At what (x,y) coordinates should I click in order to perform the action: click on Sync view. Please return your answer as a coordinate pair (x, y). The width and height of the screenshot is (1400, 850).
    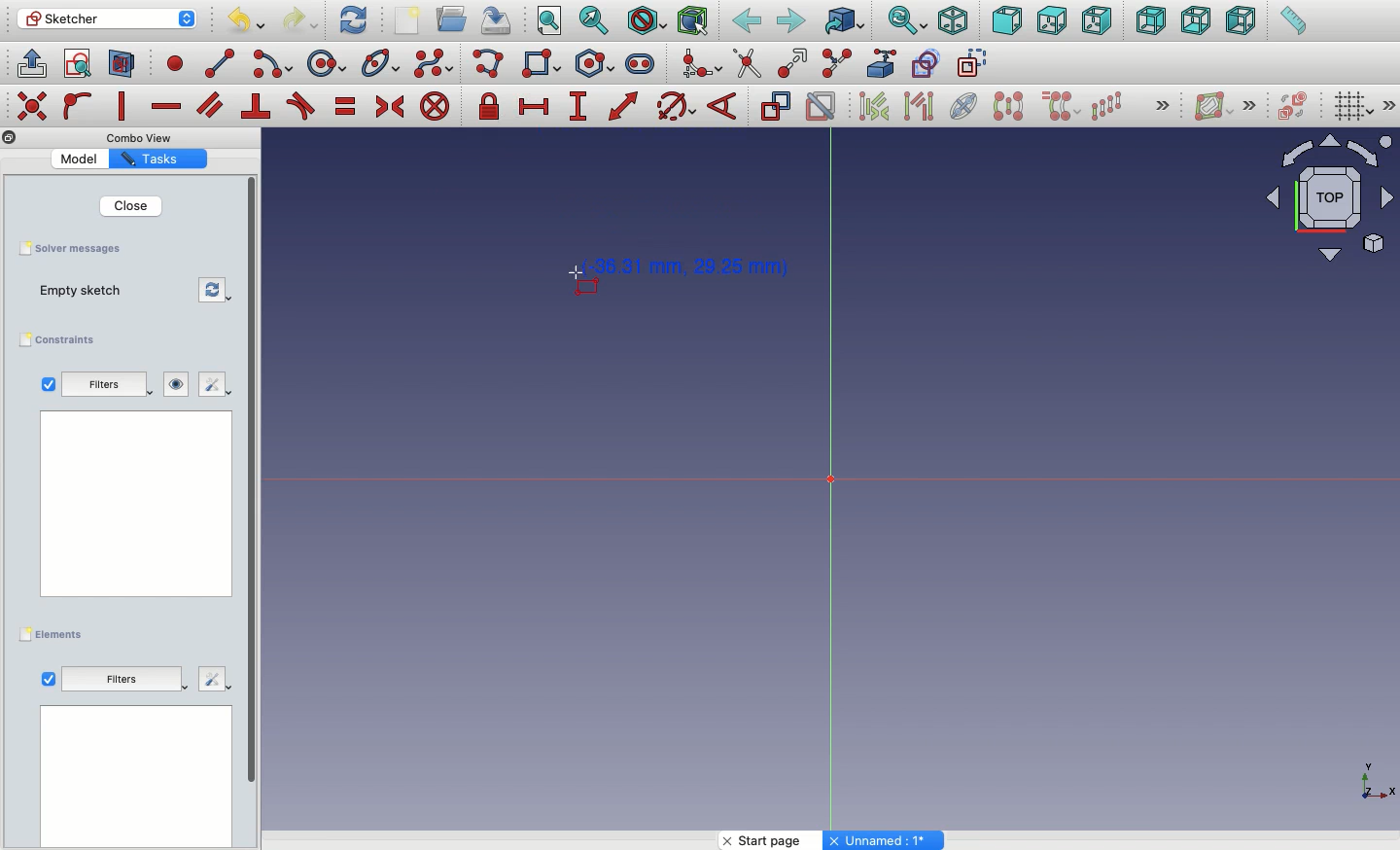
    Looking at the image, I should click on (906, 21).